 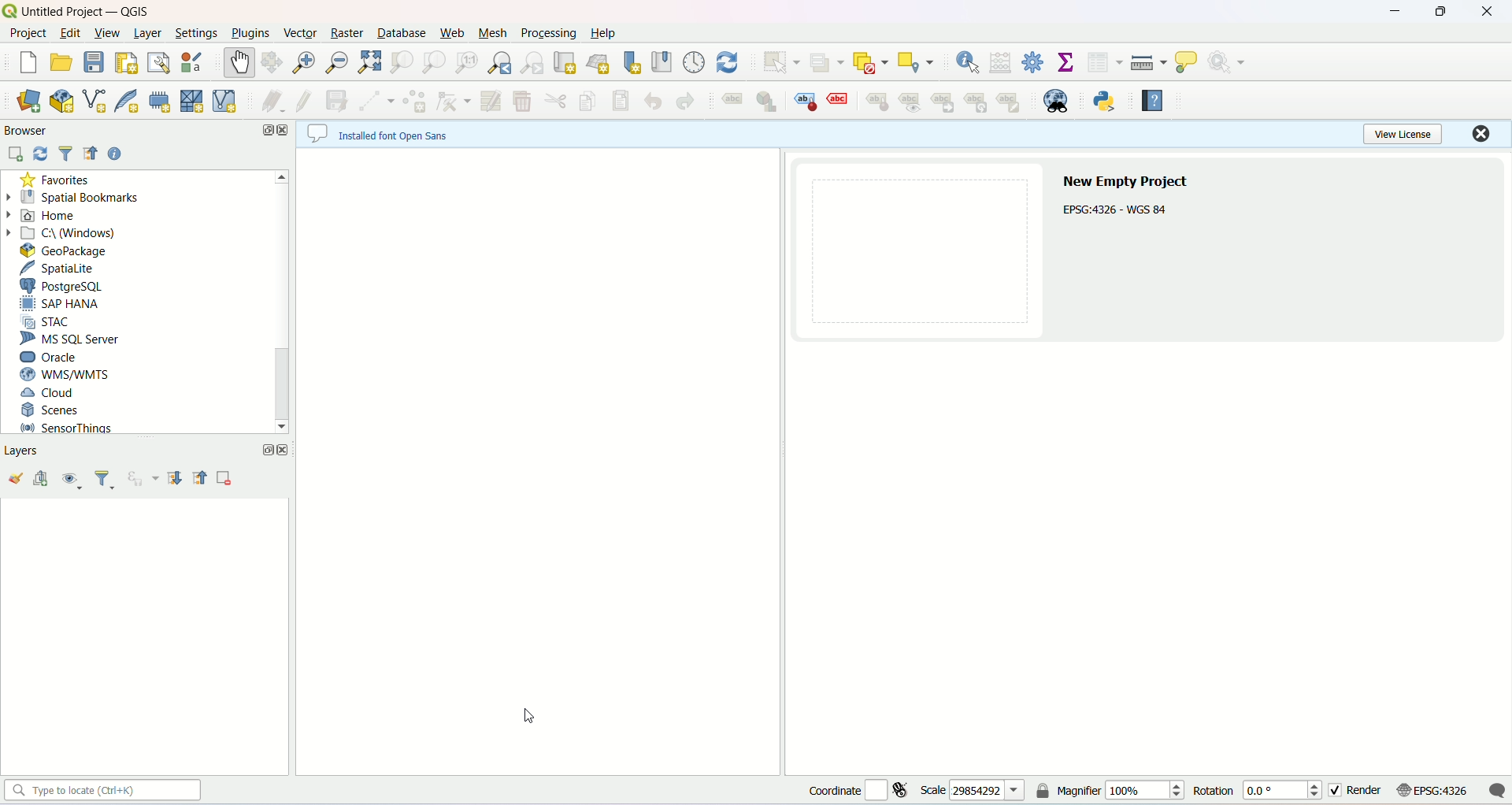 What do you see at coordinates (1478, 134) in the screenshot?
I see `close` at bounding box center [1478, 134].